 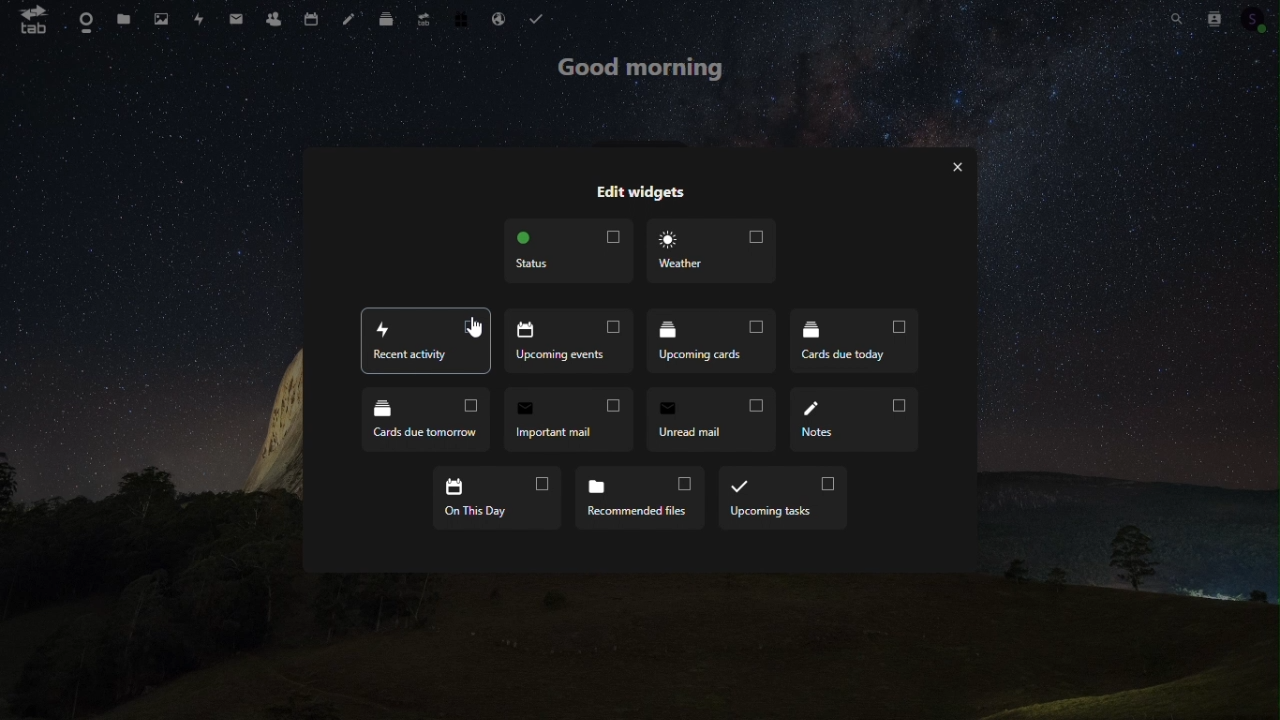 I want to click on Contacts , so click(x=272, y=16).